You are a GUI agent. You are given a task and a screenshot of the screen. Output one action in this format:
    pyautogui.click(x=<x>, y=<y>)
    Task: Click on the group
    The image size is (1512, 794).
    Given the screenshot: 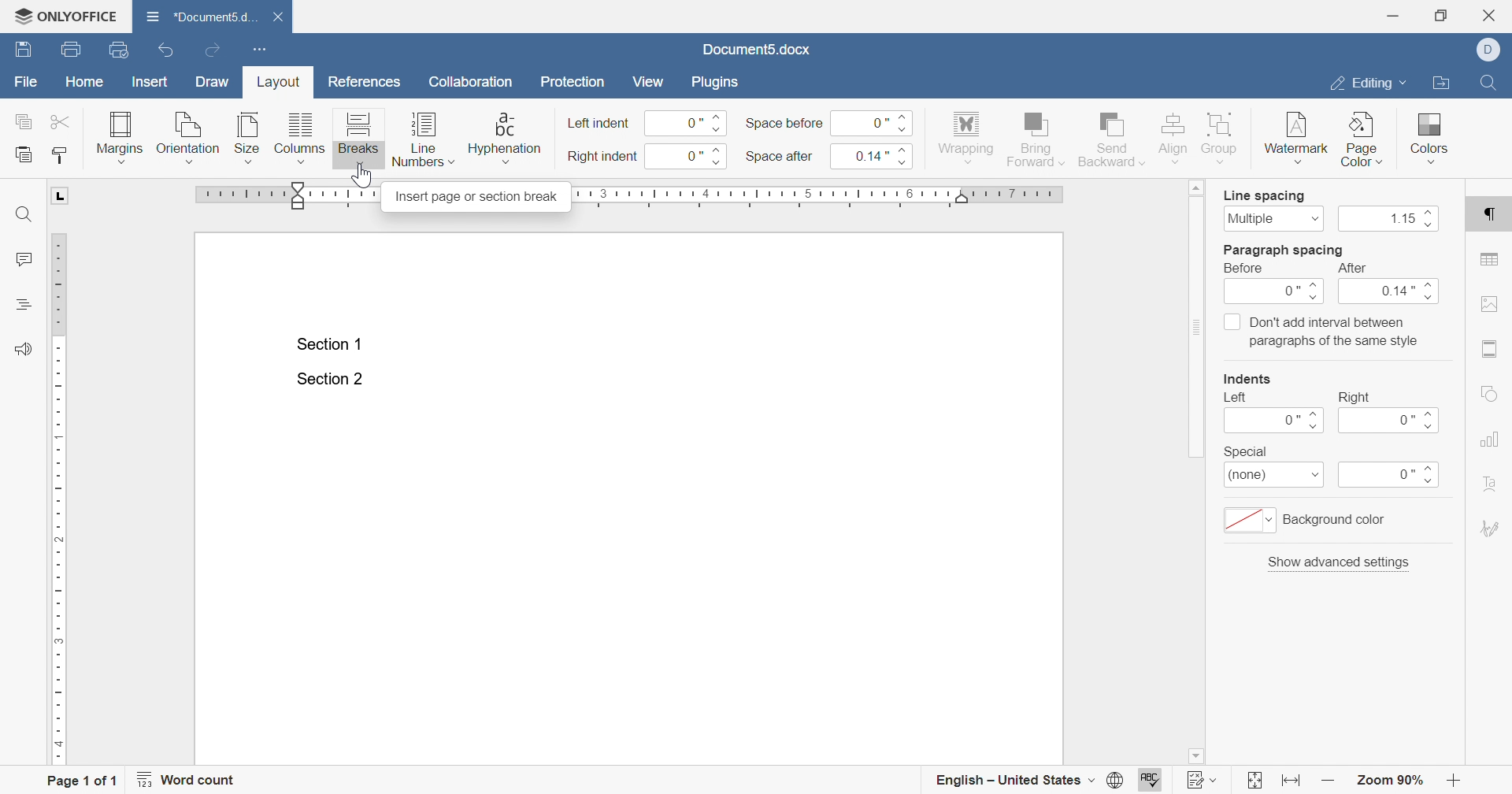 What is the action you would take?
    pyautogui.click(x=1224, y=139)
    